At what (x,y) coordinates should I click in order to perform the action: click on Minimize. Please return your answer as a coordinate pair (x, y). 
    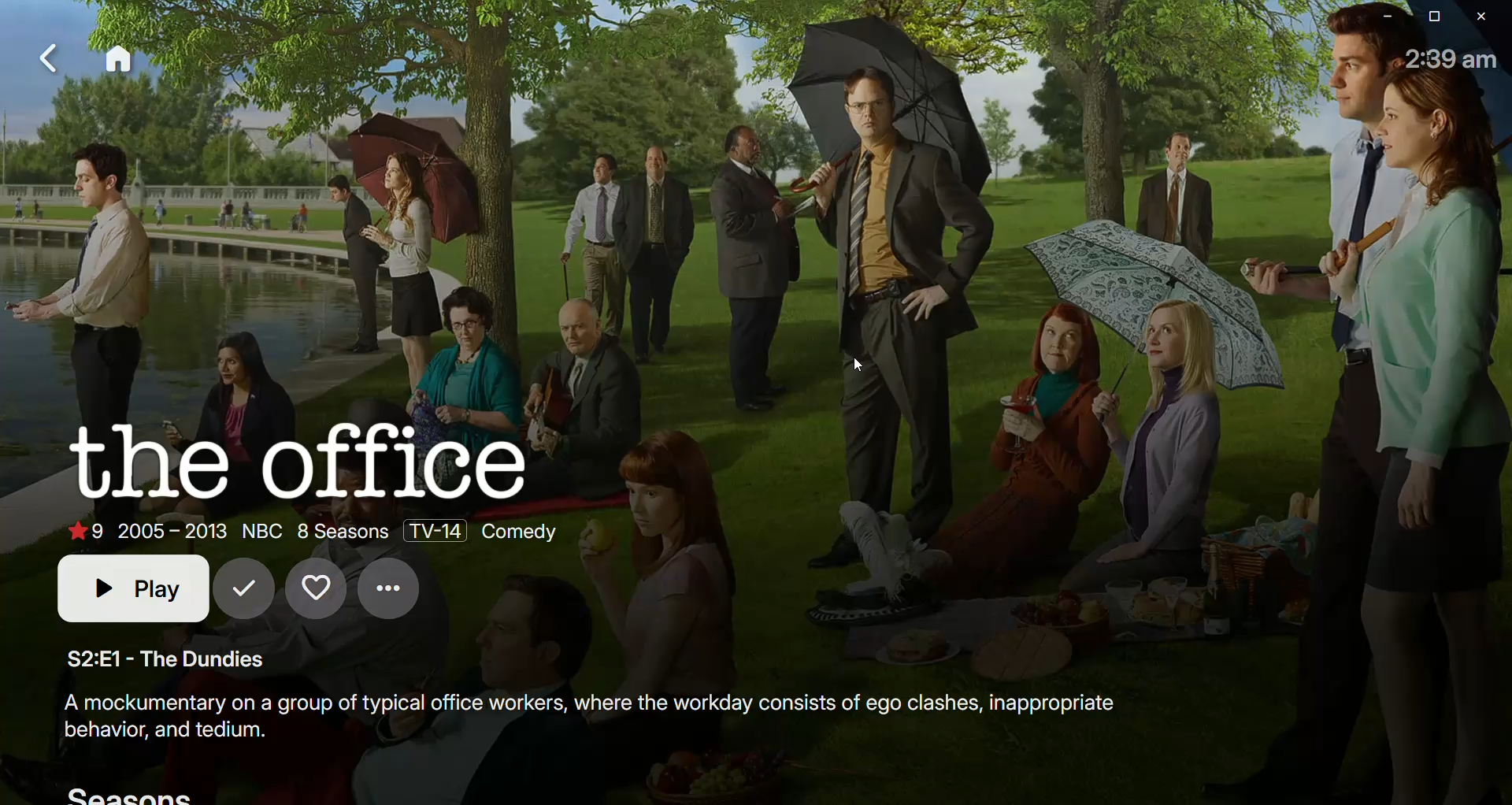
    Looking at the image, I should click on (1380, 17).